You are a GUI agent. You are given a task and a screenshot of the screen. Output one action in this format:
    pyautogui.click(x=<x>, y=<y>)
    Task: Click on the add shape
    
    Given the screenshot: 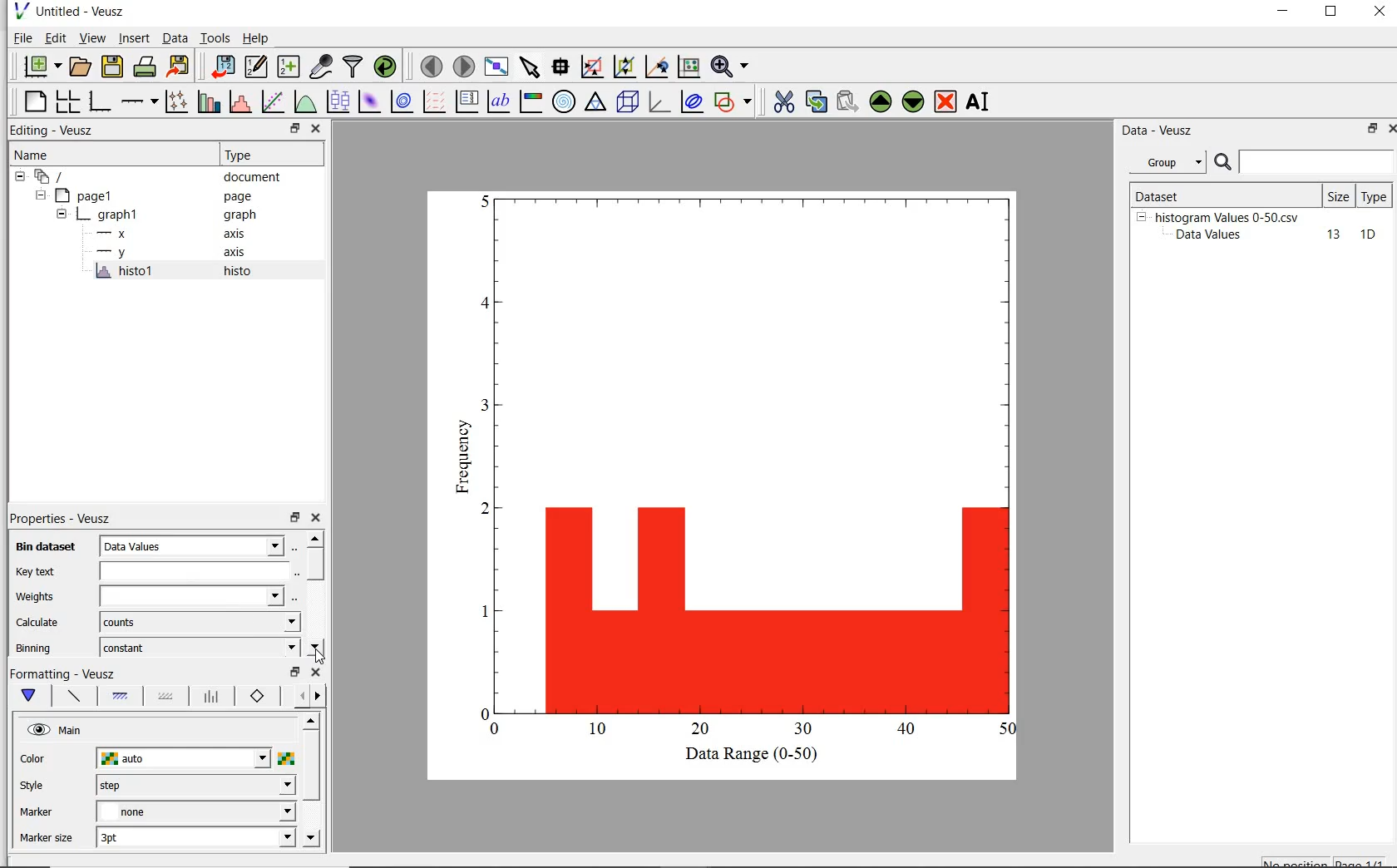 What is the action you would take?
    pyautogui.click(x=733, y=103)
    